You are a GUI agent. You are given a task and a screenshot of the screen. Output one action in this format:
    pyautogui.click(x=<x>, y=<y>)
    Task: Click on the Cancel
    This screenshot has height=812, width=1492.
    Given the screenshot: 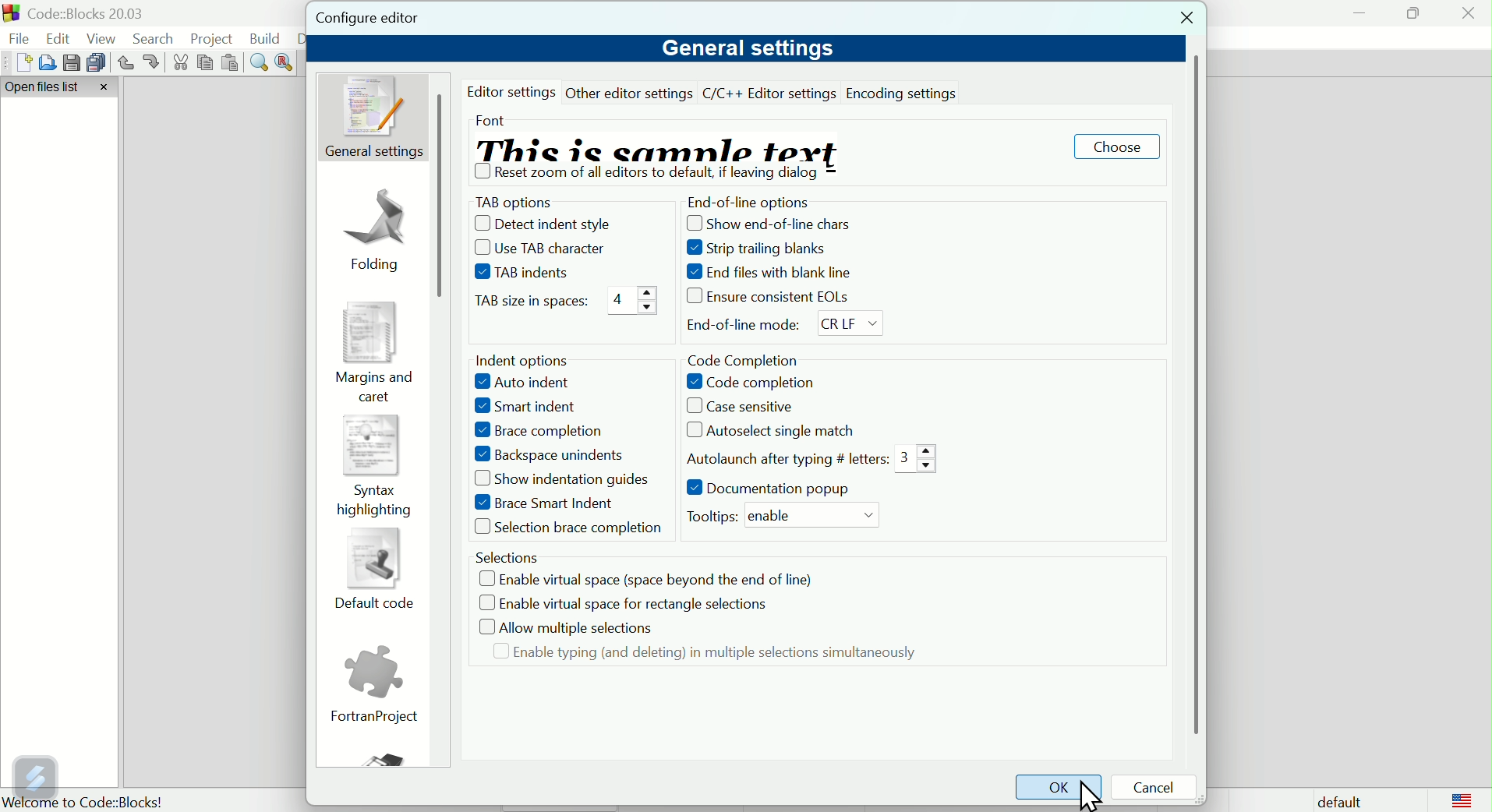 What is the action you would take?
    pyautogui.click(x=1158, y=789)
    